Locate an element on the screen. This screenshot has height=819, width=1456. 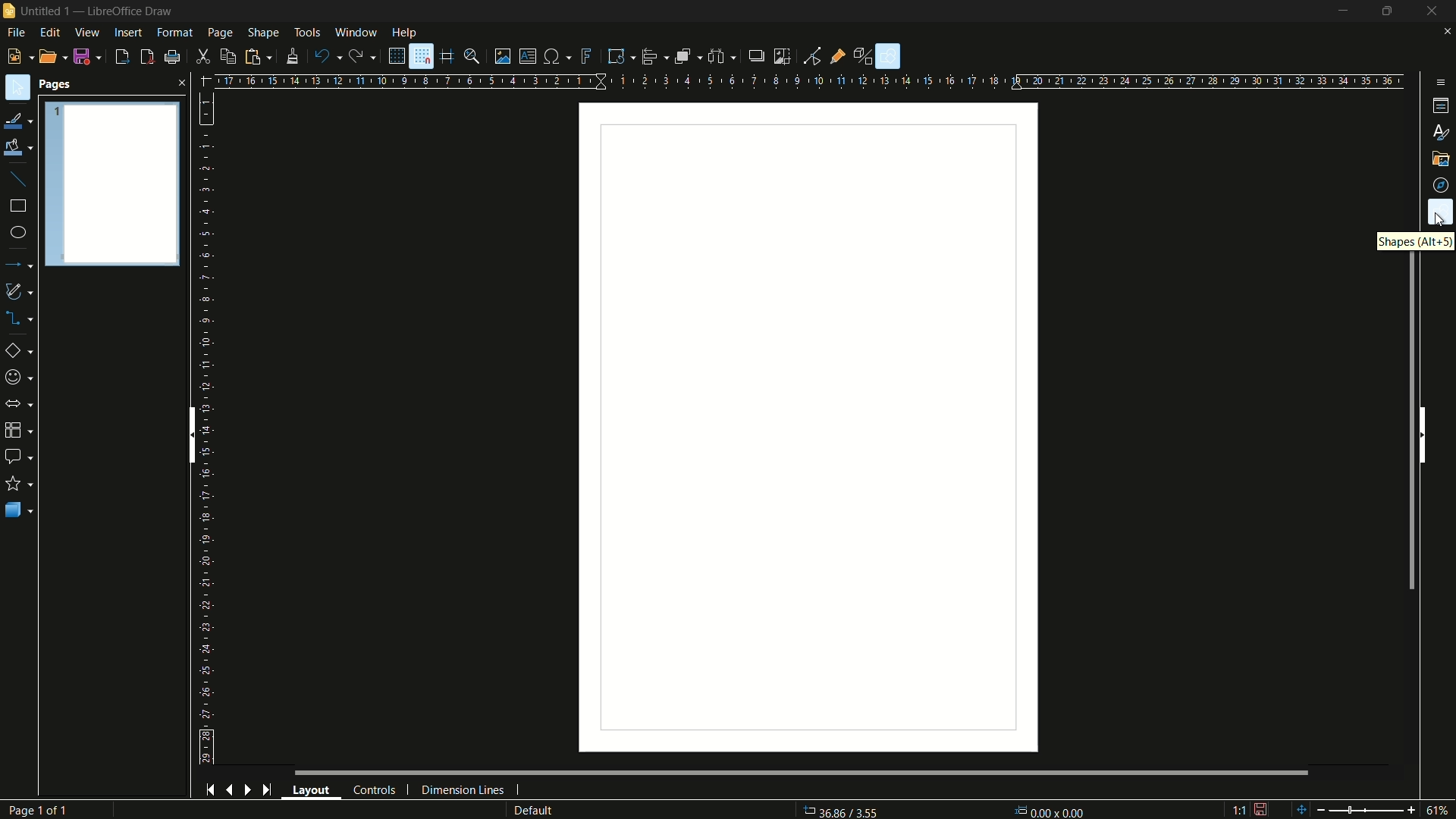
dimension lines is located at coordinates (463, 792).